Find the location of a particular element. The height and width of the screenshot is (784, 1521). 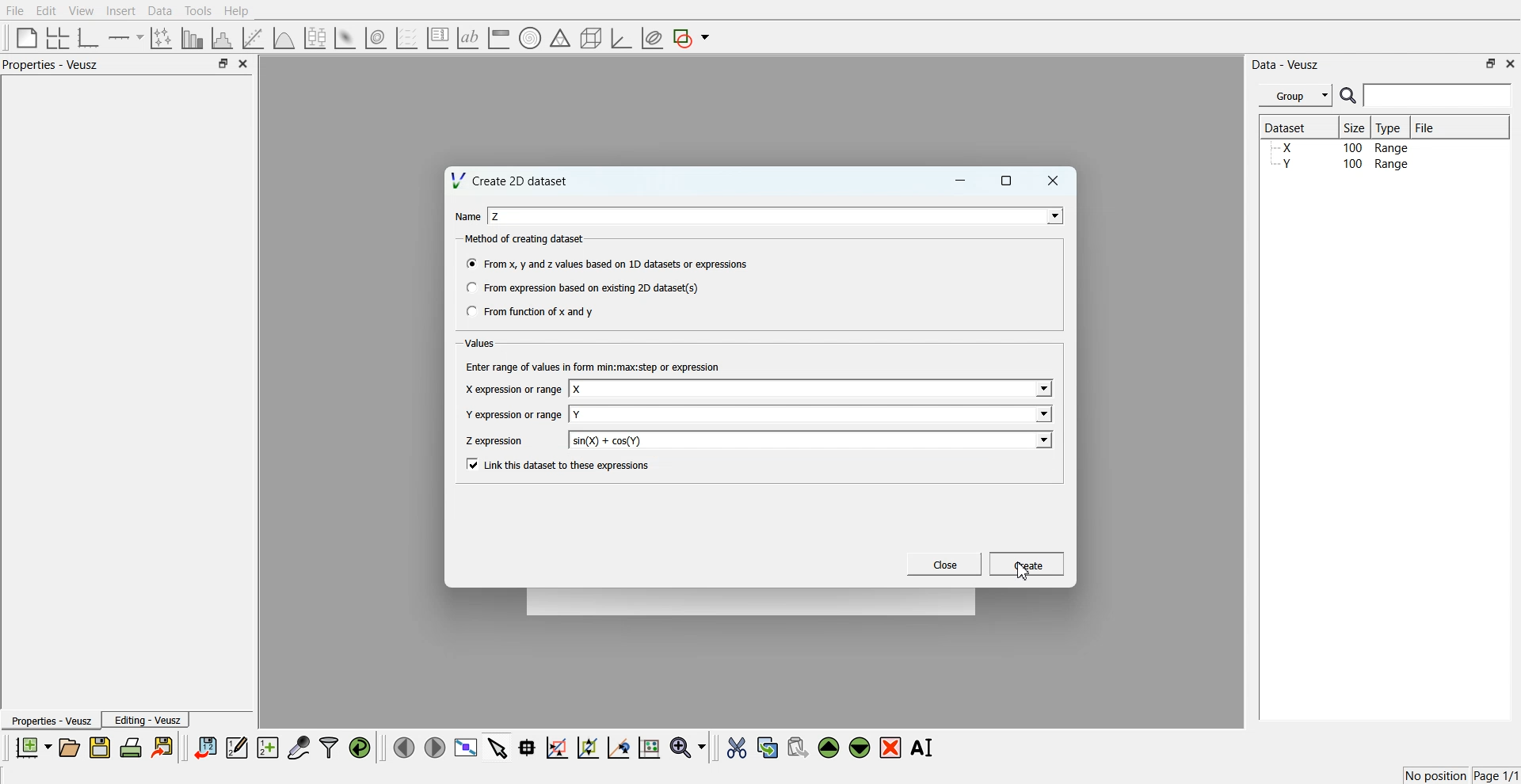

File is located at coordinates (1427, 127).